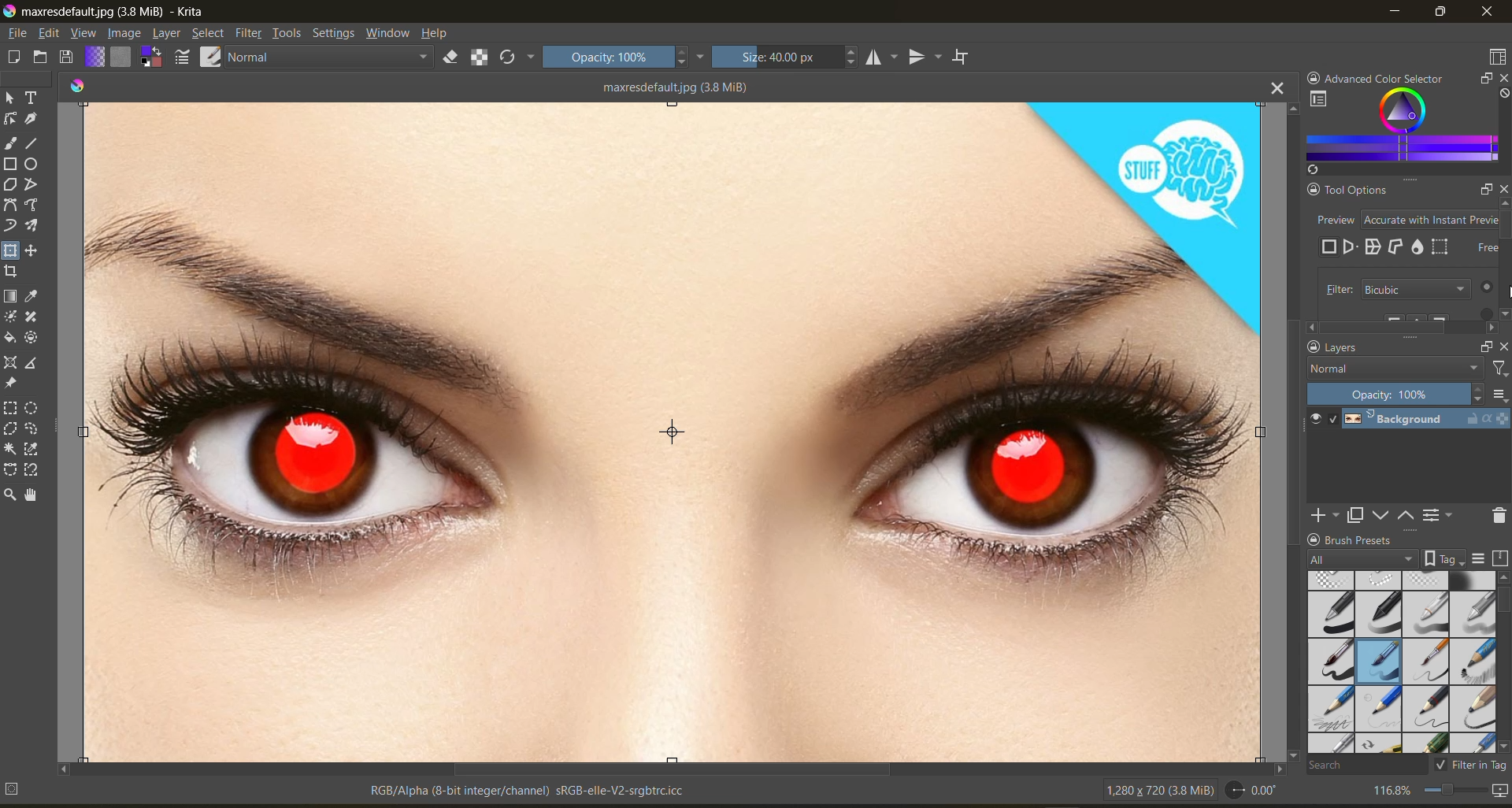 Image resolution: width=1512 pixels, height=808 pixels. What do you see at coordinates (349, 790) in the screenshot?
I see `metadata` at bounding box center [349, 790].